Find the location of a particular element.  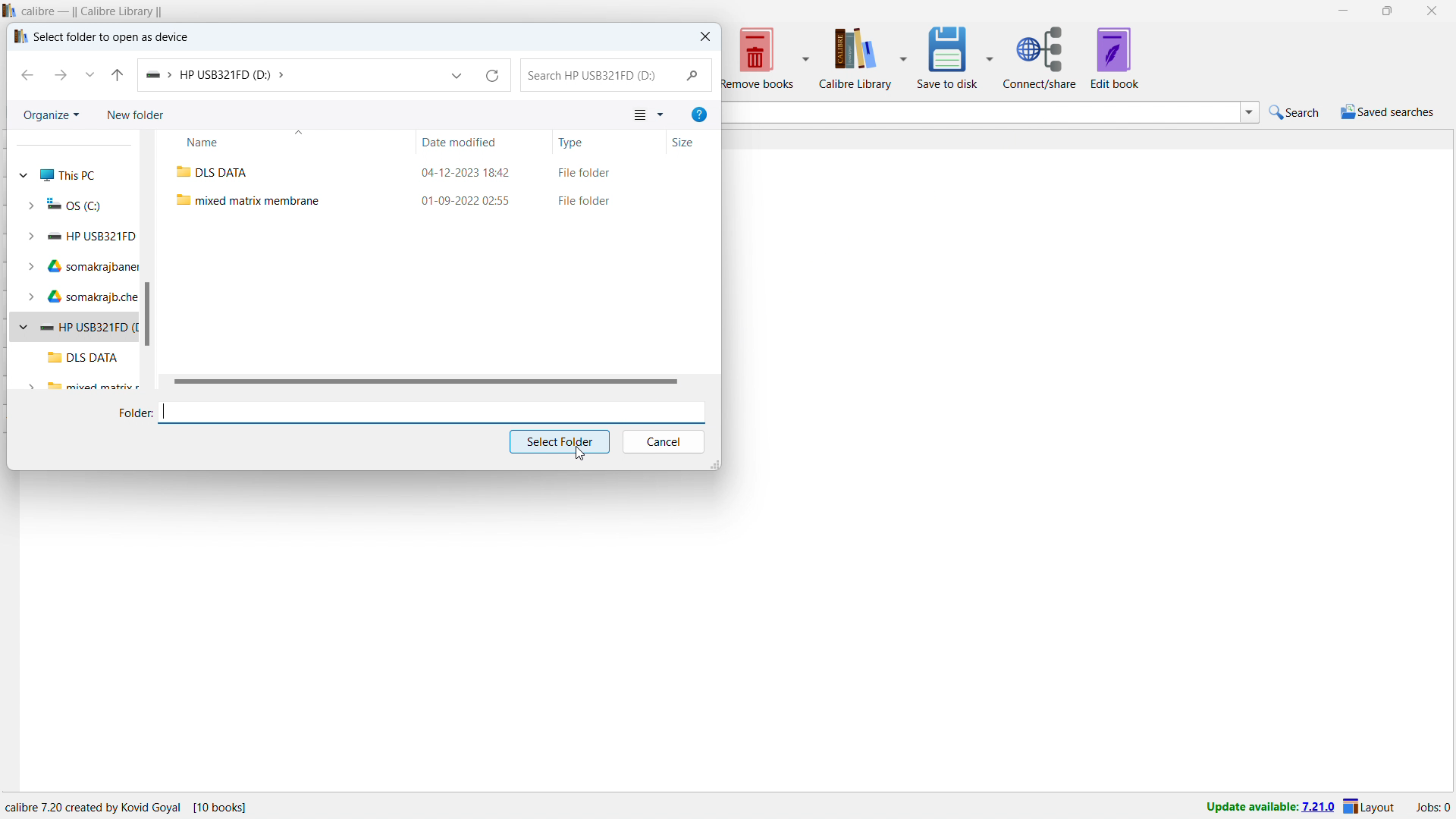

select folder to open as device is located at coordinates (101, 36).